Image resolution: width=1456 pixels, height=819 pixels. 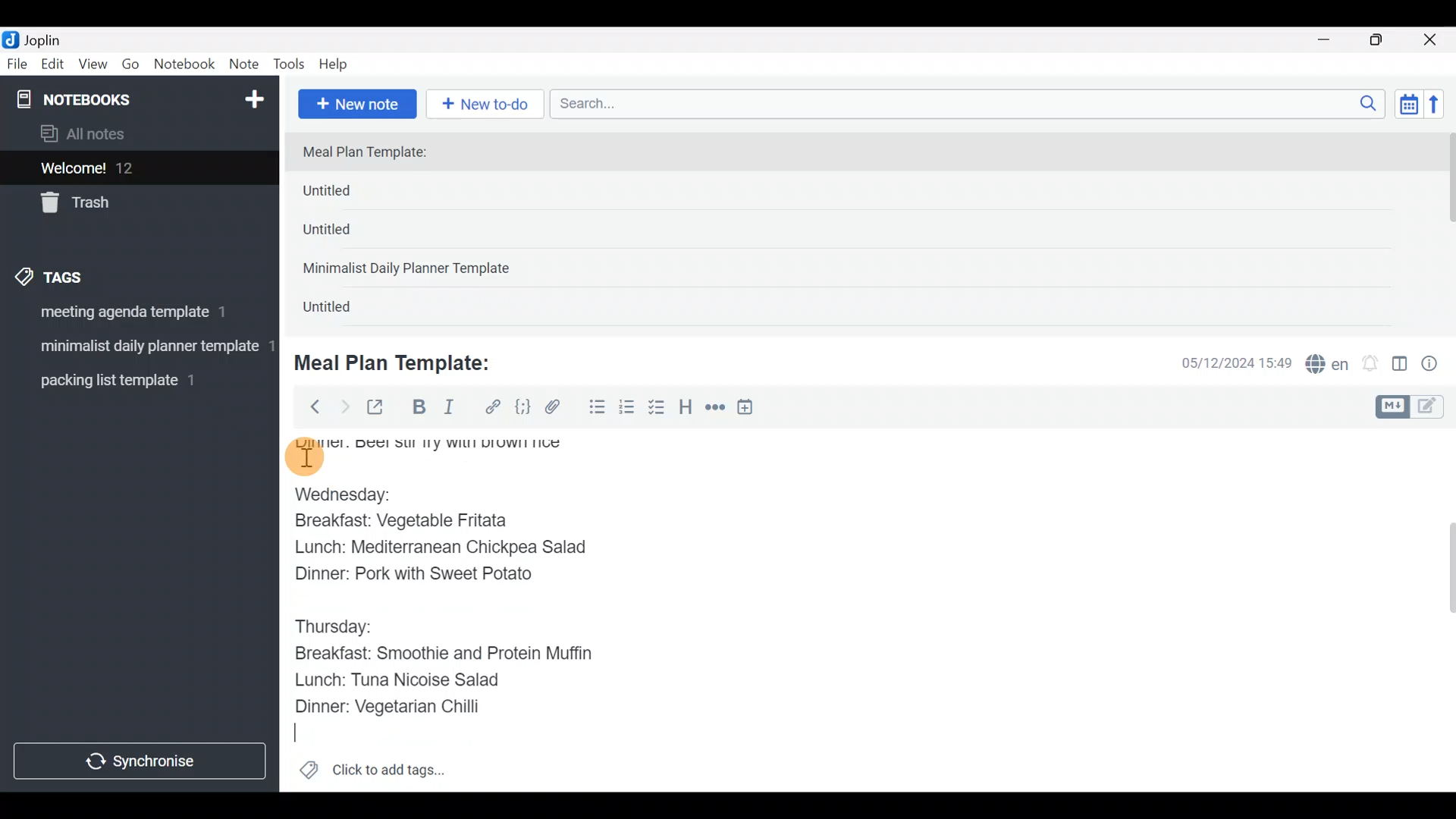 What do you see at coordinates (356, 102) in the screenshot?
I see `New note` at bounding box center [356, 102].